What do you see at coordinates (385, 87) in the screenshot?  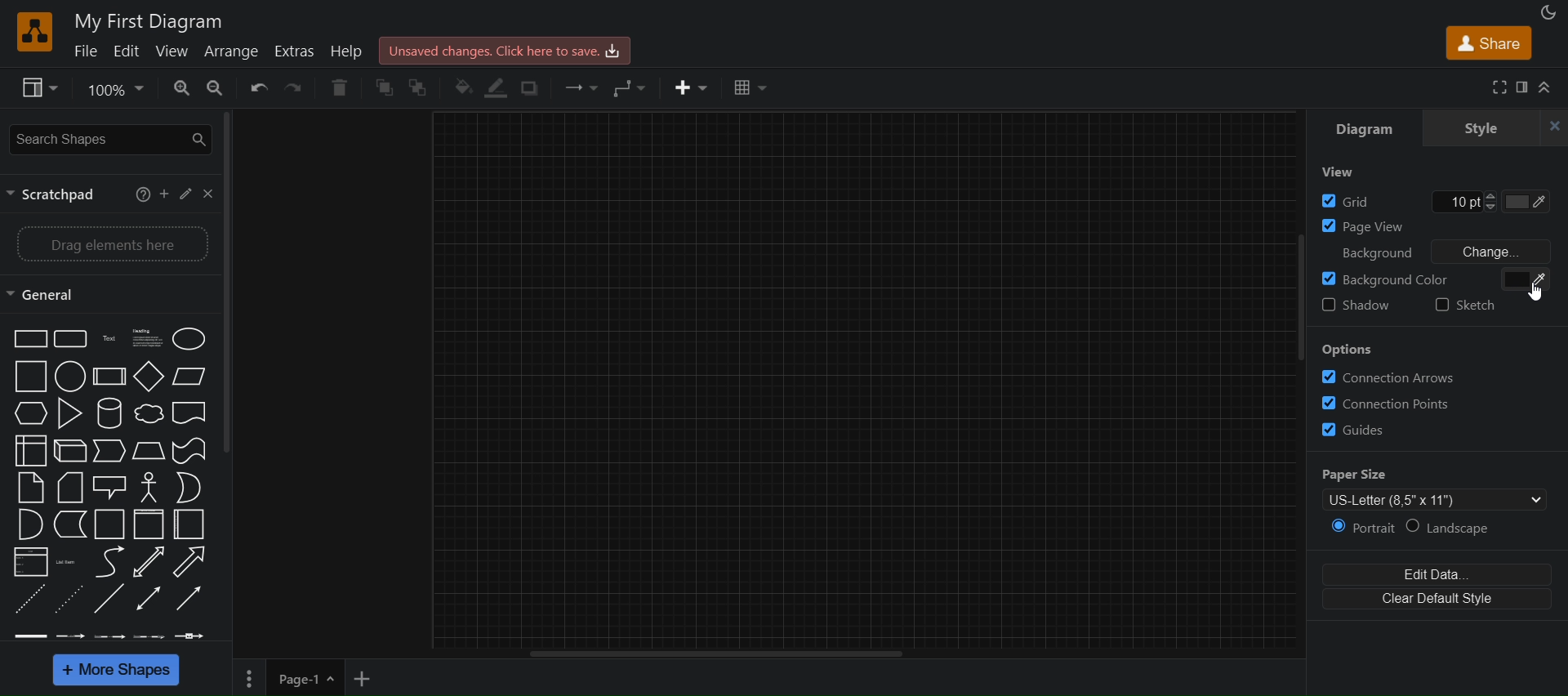 I see `to front ` at bounding box center [385, 87].